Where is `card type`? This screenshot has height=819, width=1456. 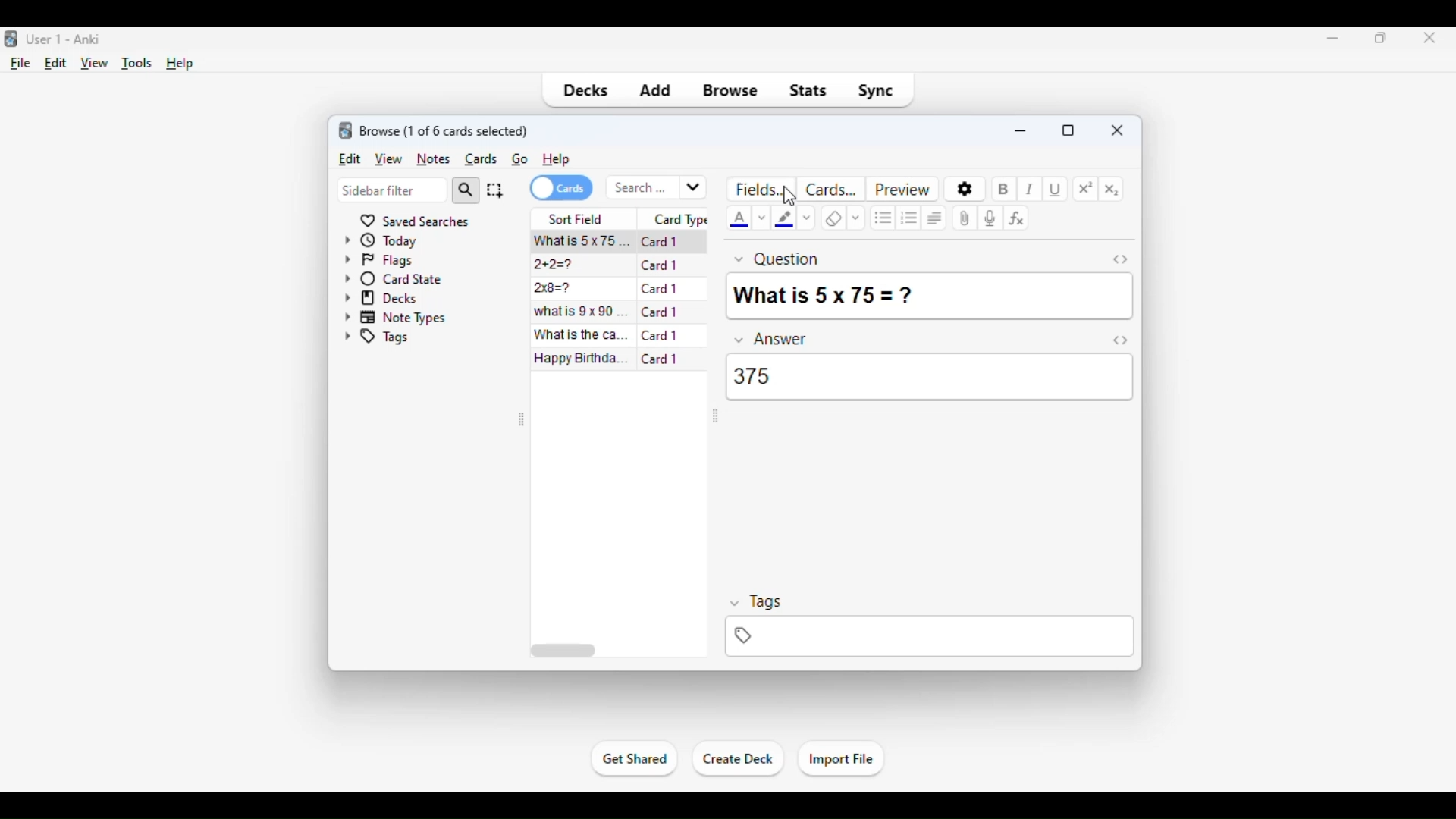 card type is located at coordinates (679, 219).